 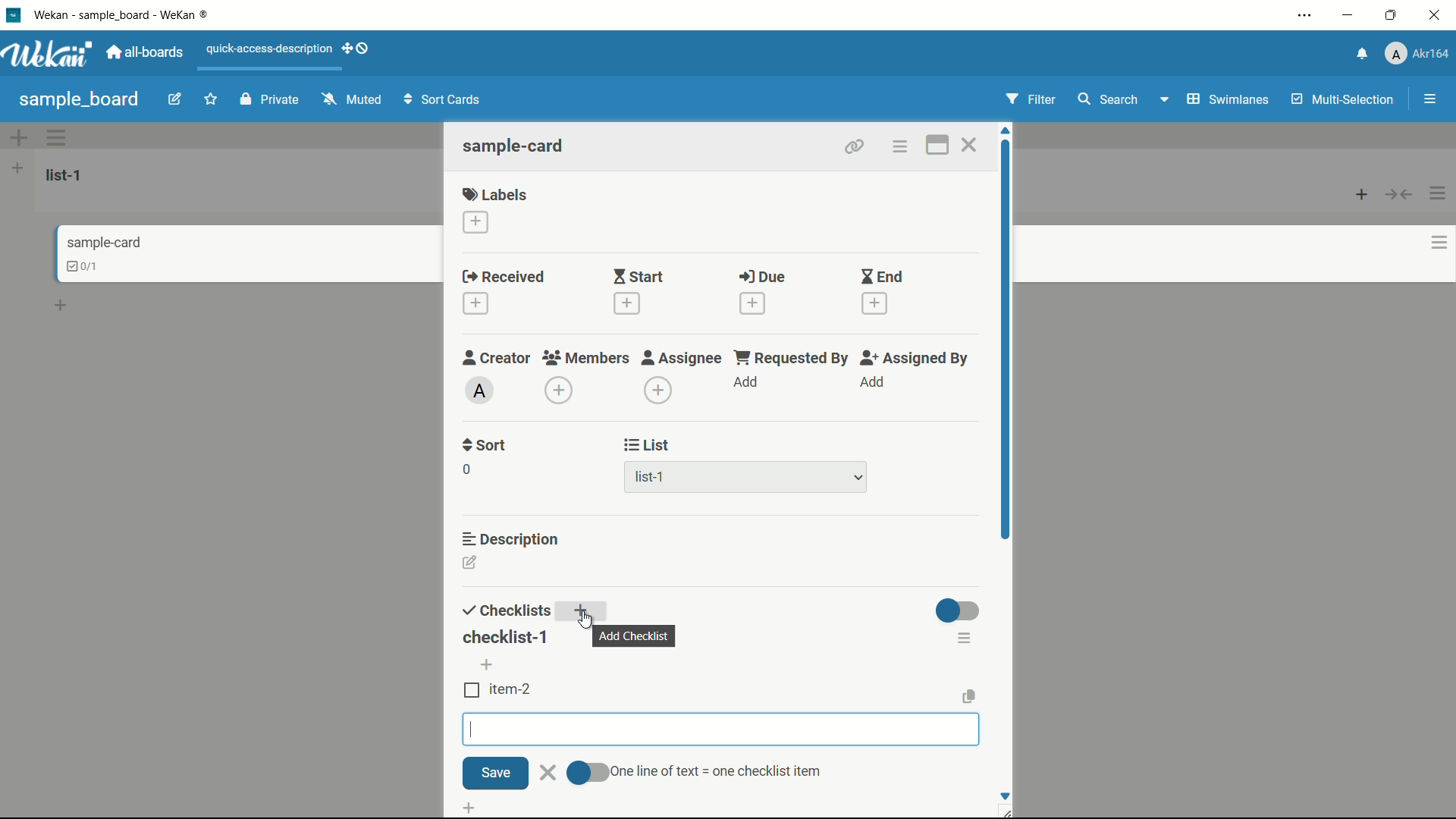 What do you see at coordinates (1360, 52) in the screenshot?
I see `notifications` at bounding box center [1360, 52].